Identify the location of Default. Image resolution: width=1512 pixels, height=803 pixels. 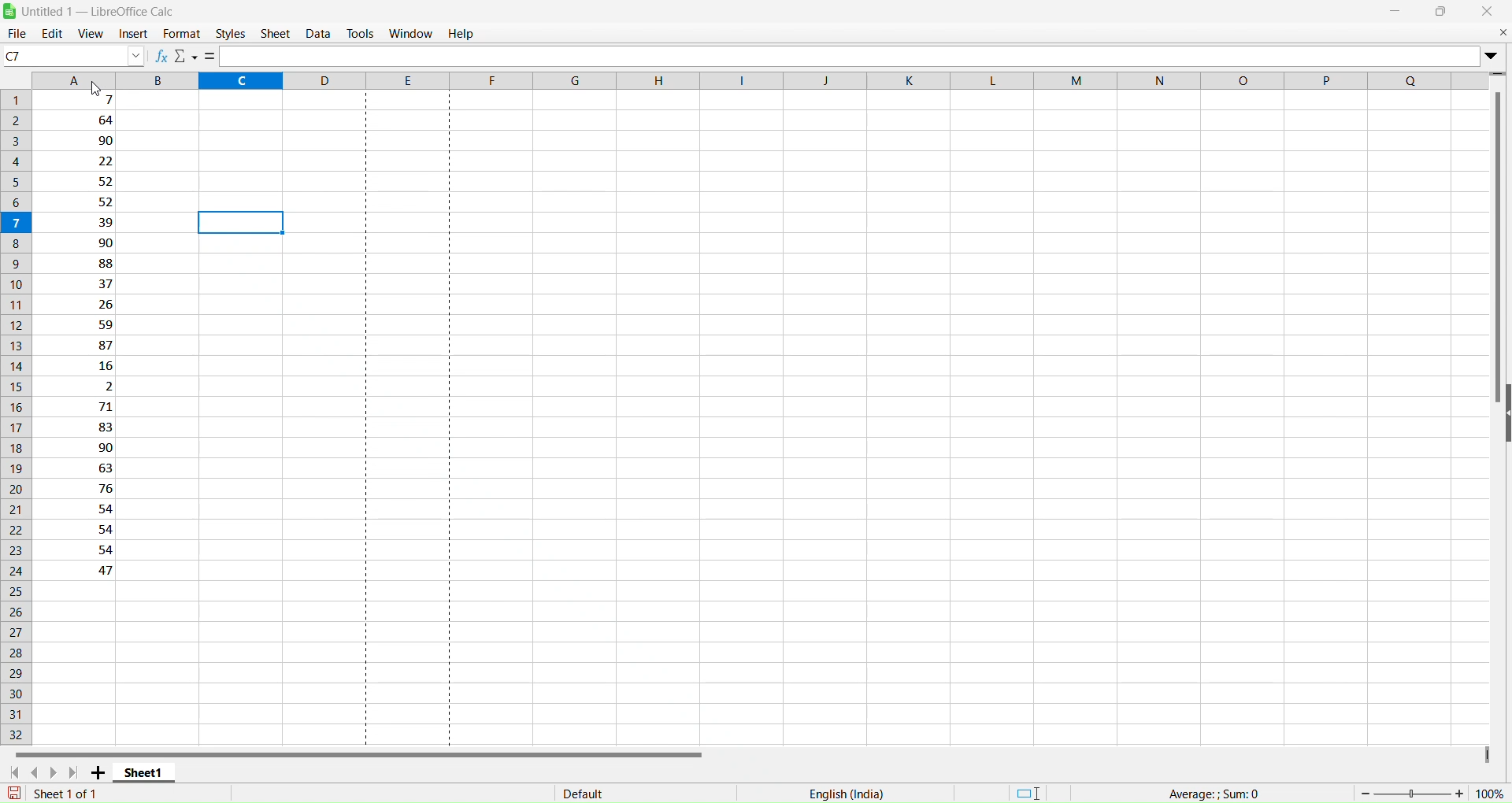
(597, 790).